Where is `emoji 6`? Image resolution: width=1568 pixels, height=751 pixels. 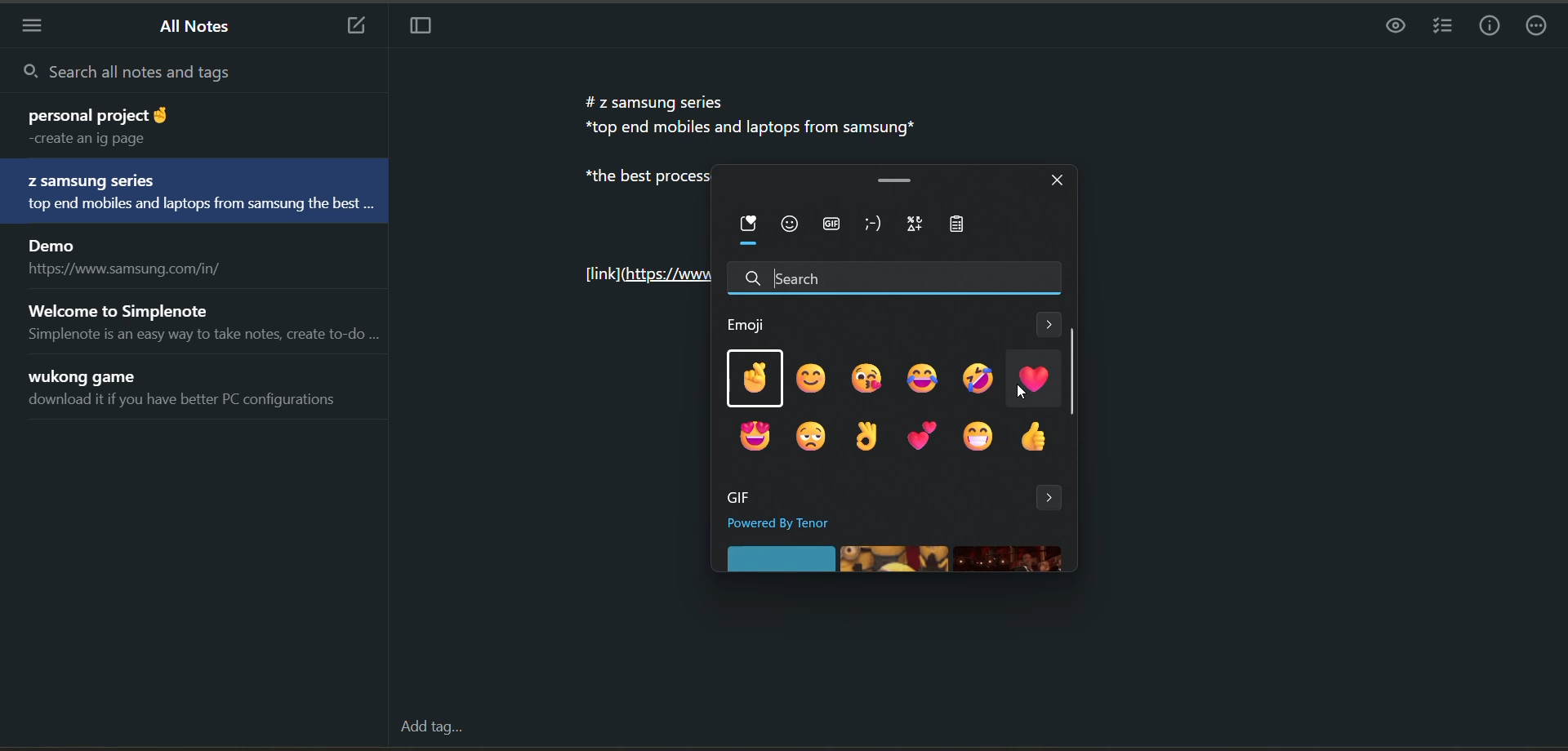 emoji 6 is located at coordinates (1033, 378).